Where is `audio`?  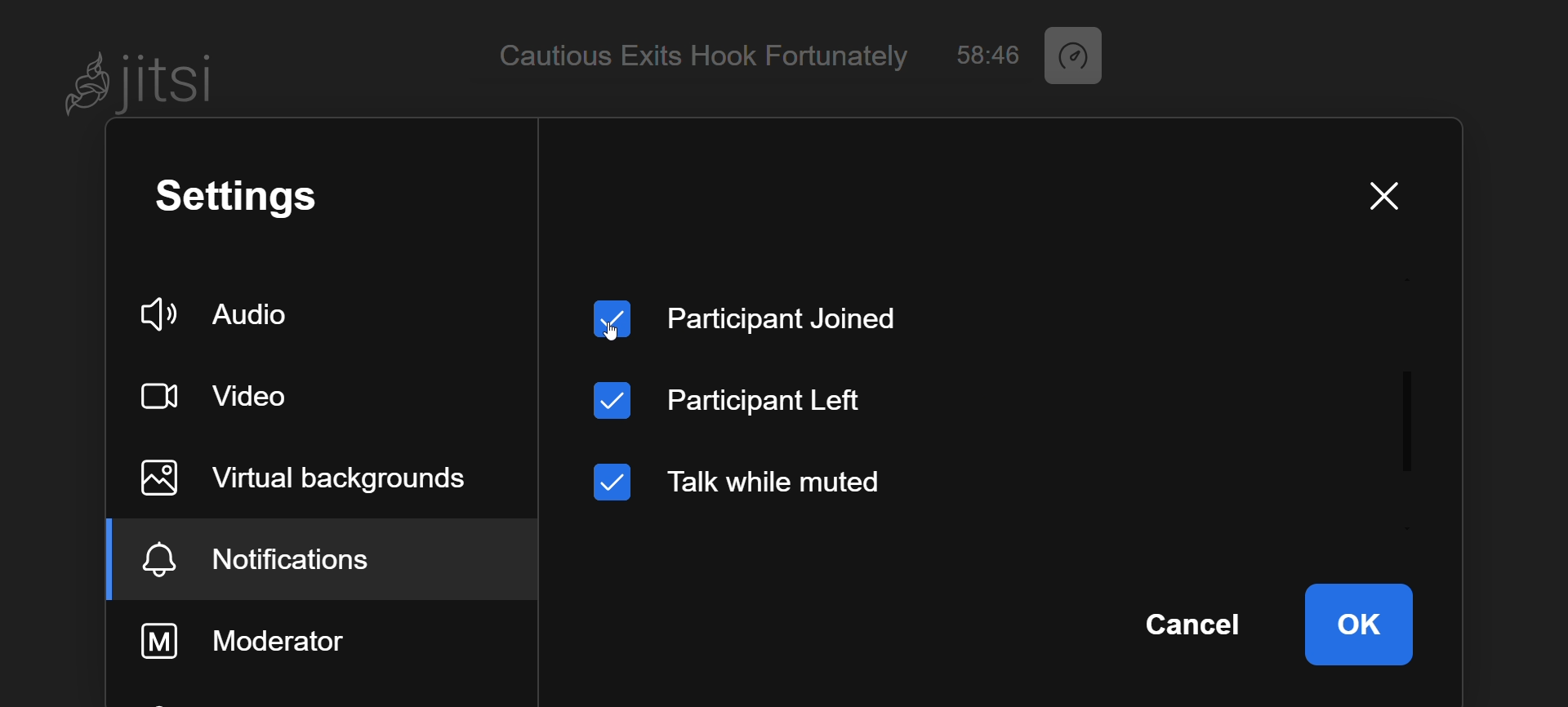
audio is located at coordinates (225, 308).